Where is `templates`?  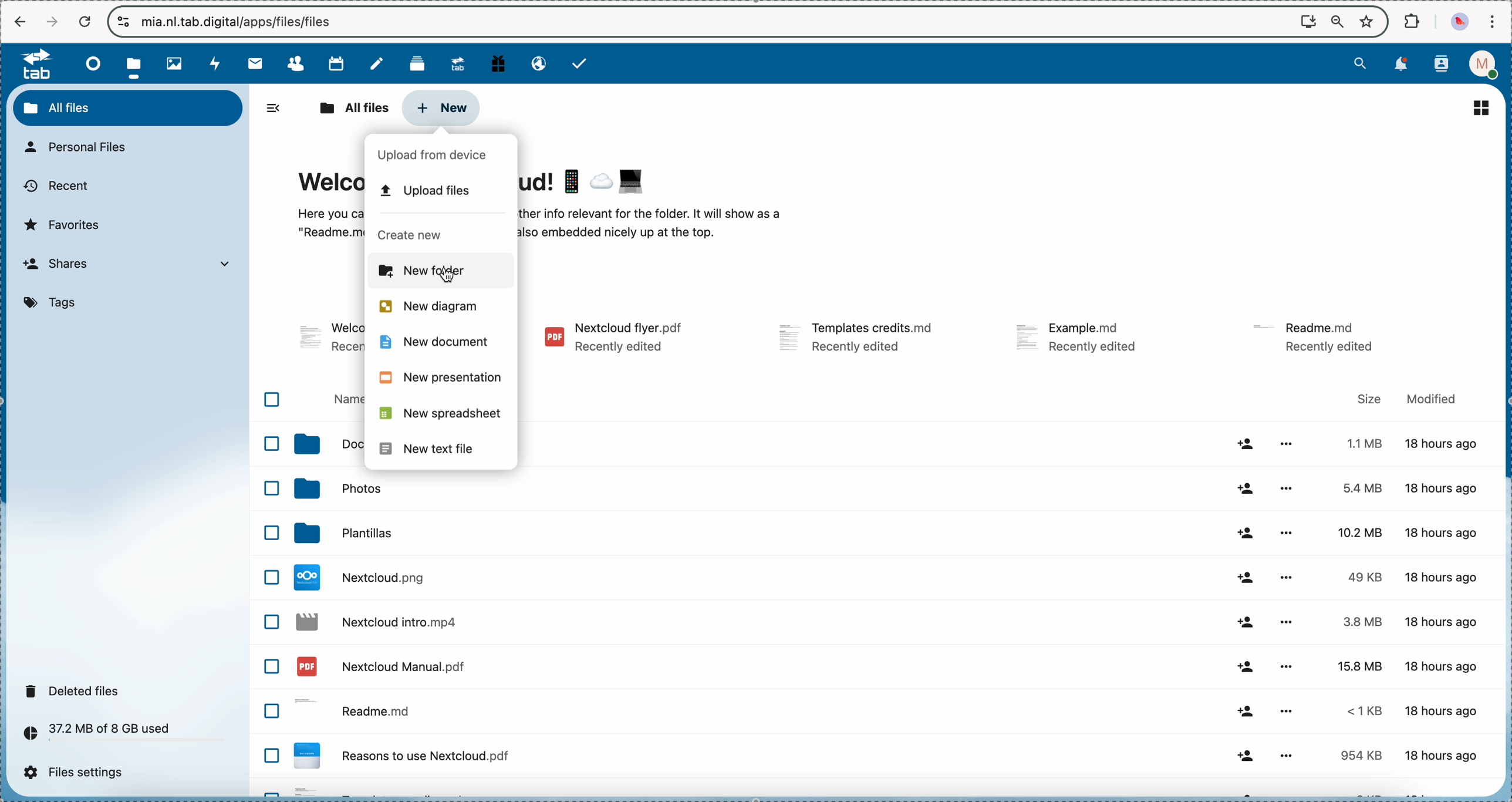 templates is located at coordinates (752, 532).